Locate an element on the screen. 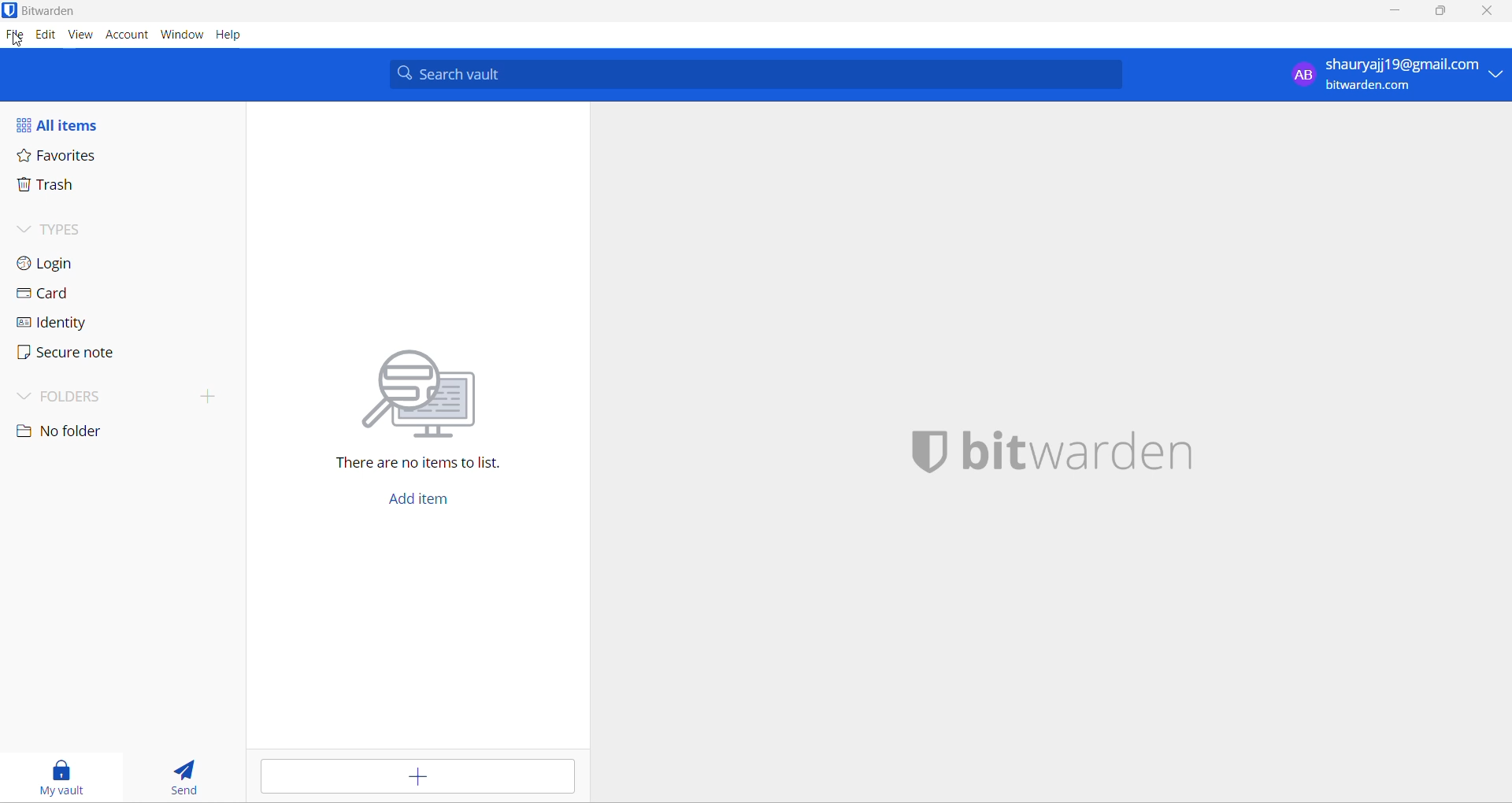  identity is located at coordinates (62, 325).